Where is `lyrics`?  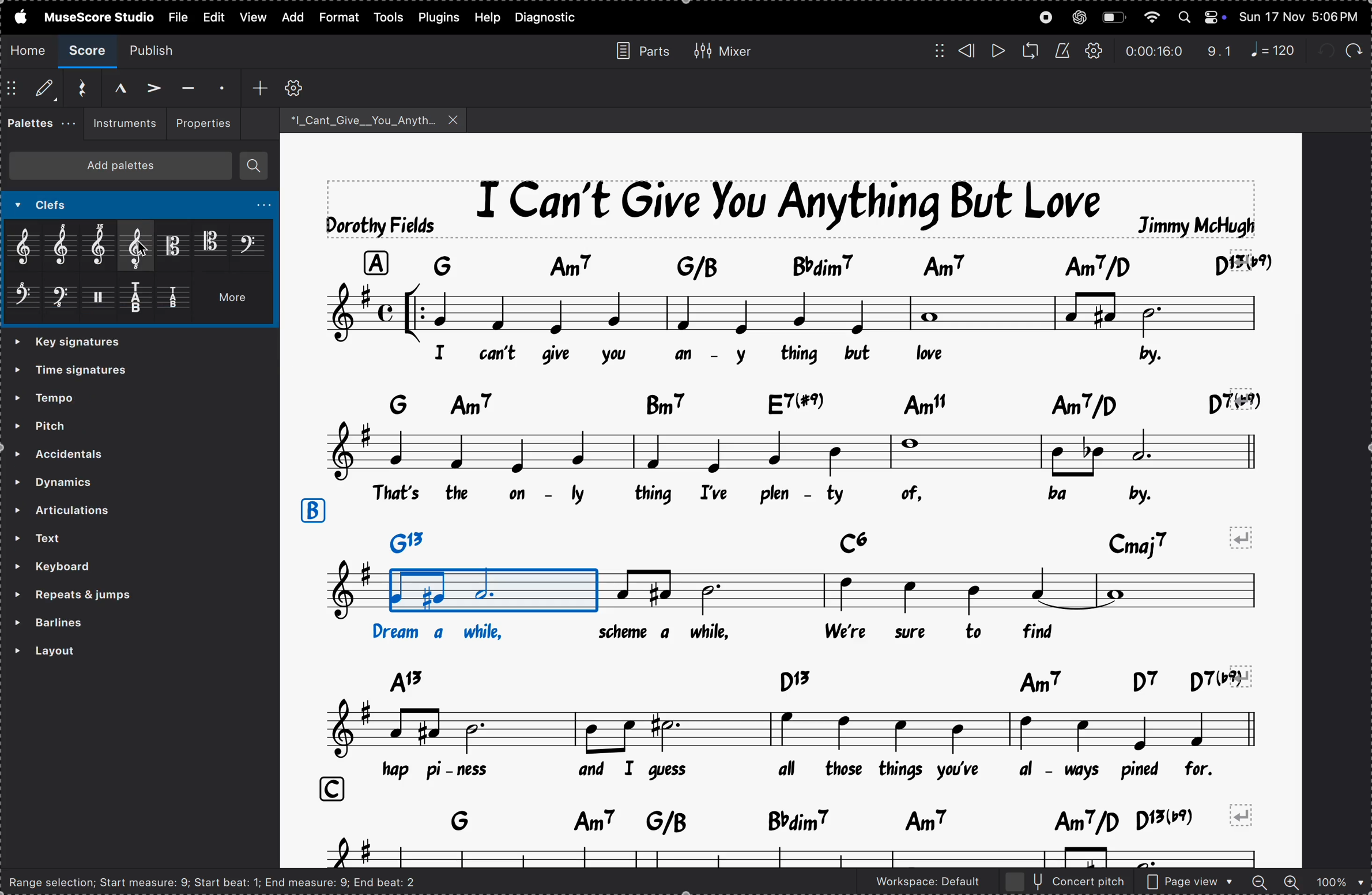
lyrics is located at coordinates (732, 633).